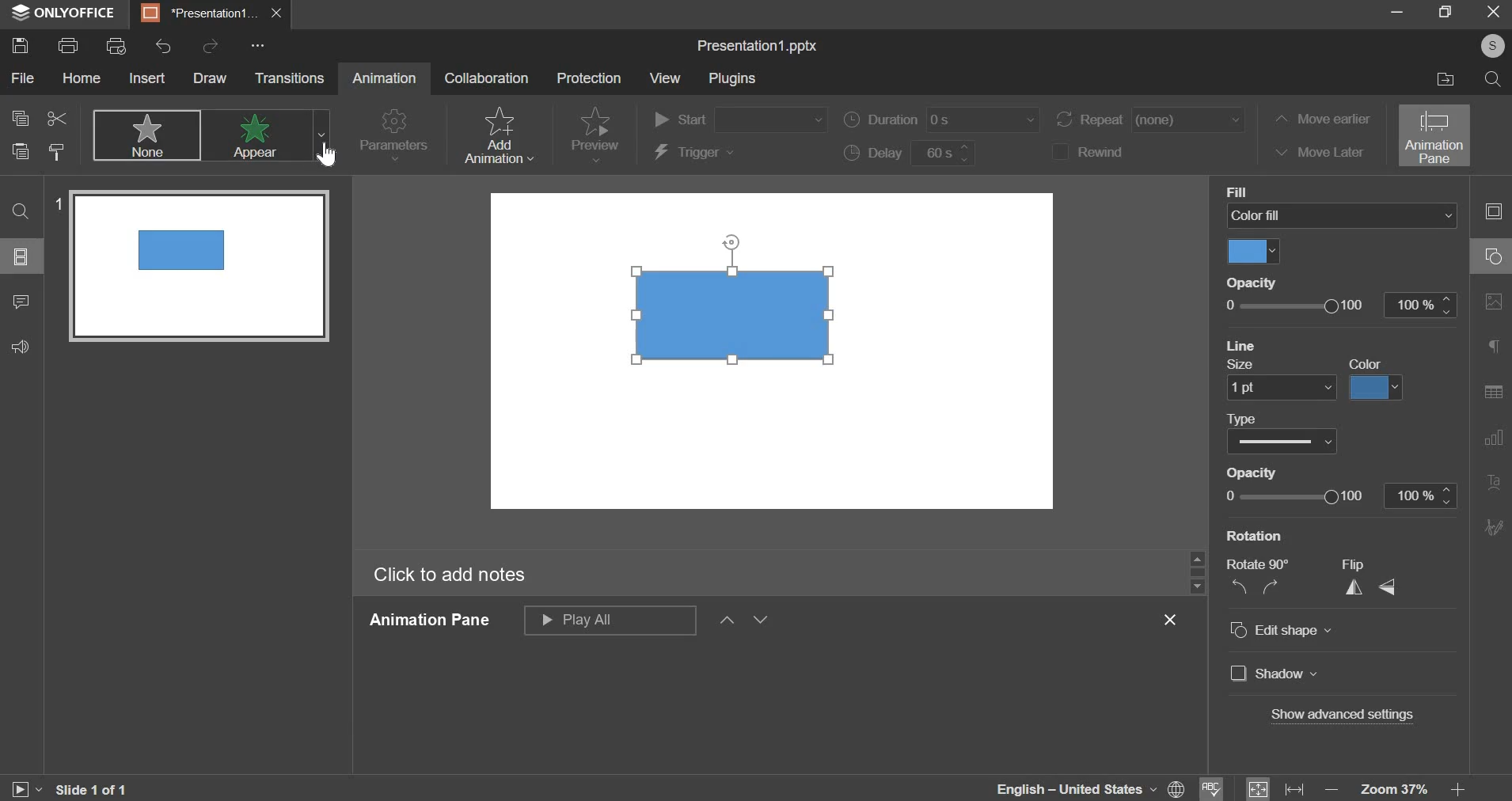 The width and height of the screenshot is (1512, 801). What do you see at coordinates (96, 787) in the screenshot?
I see `Slide 1 0f 1` at bounding box center [96, 787].